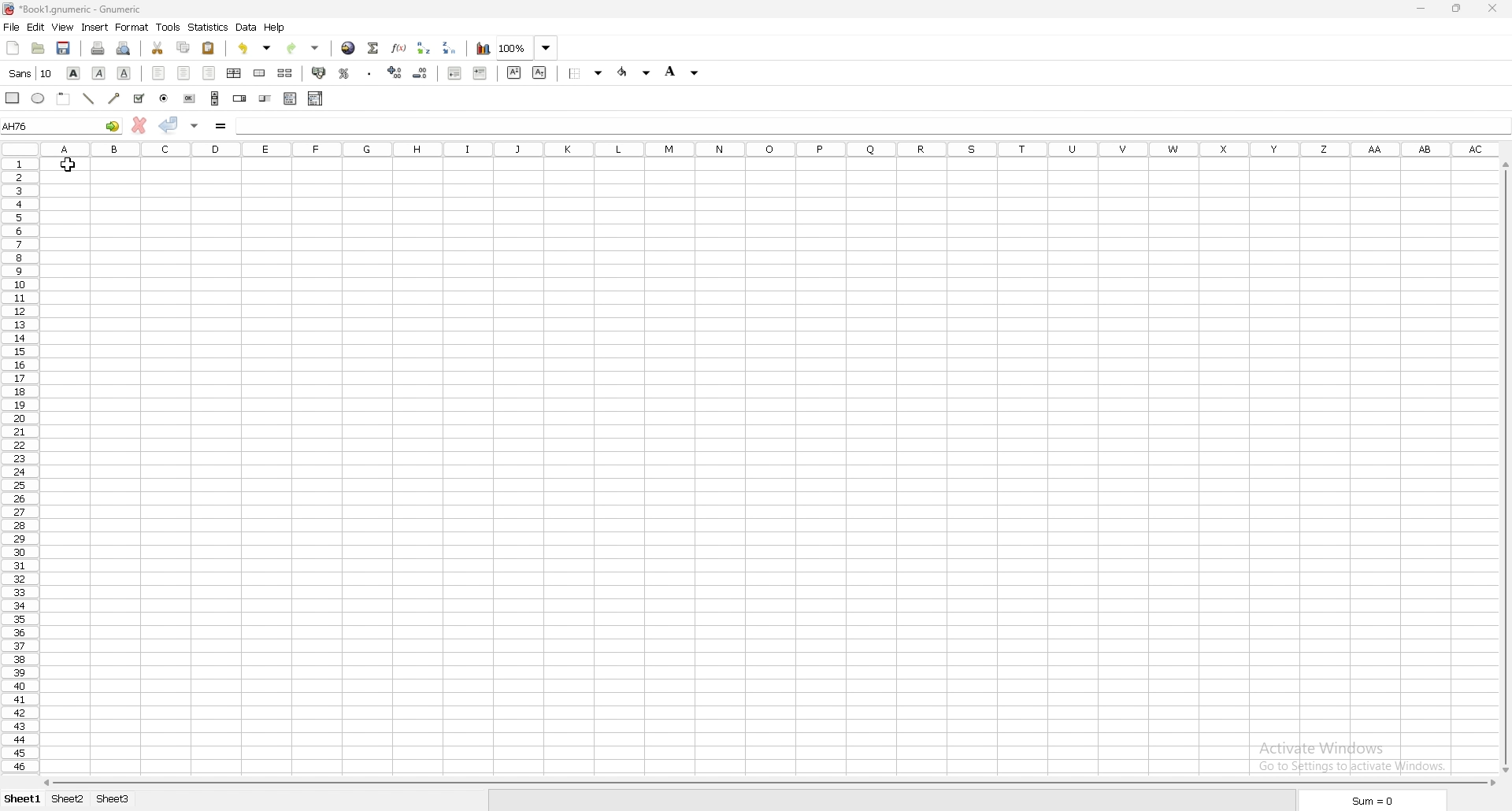  Describe the element at coordinates (315, 99) in the screenshot. I see `combo box` at that location.